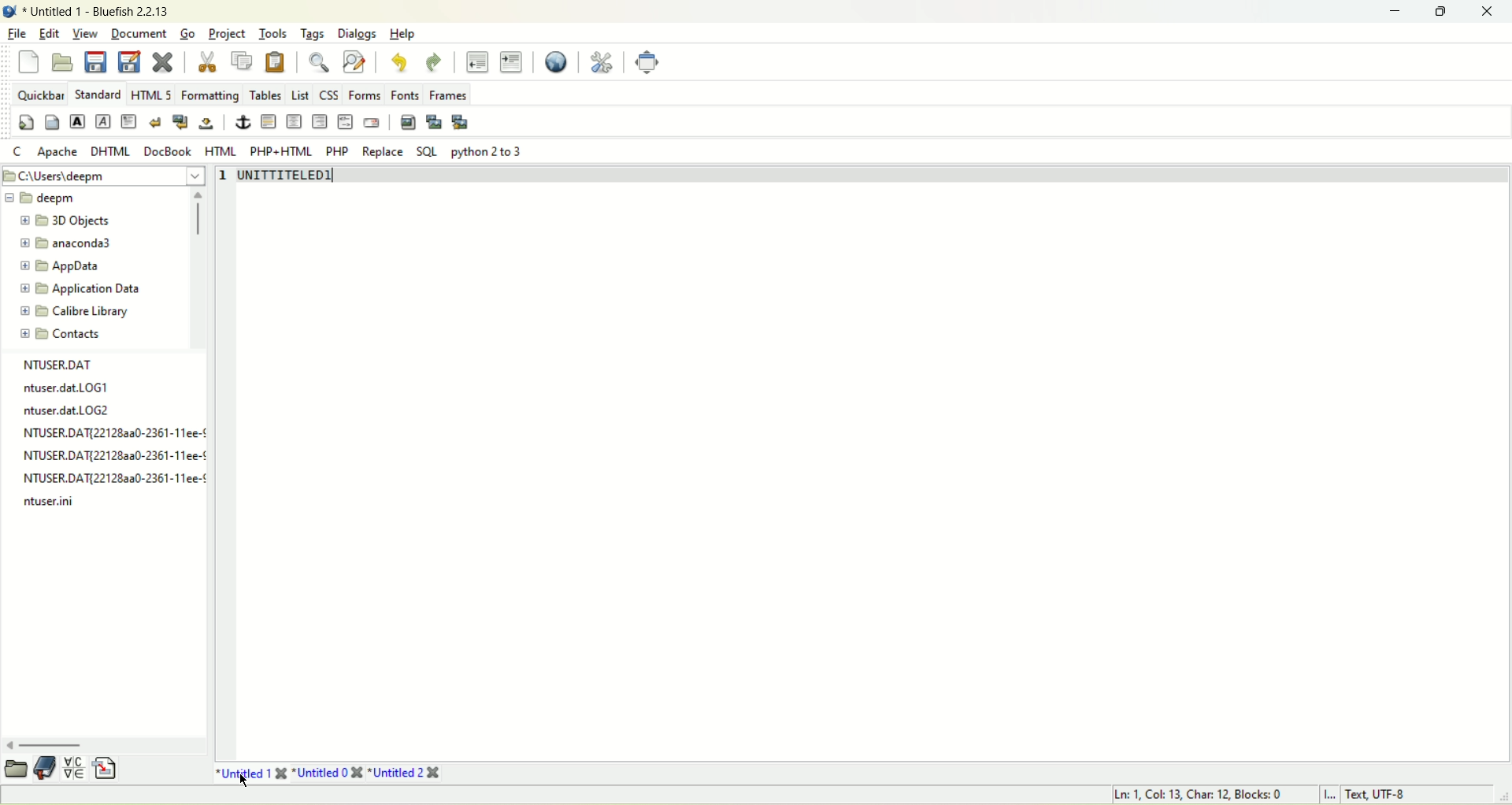 Image resolution: width=1512 pixels, height=805 pixels. Describe the element at coordinates (367, 92) in the screenshot. I see `Forms ` at that location.